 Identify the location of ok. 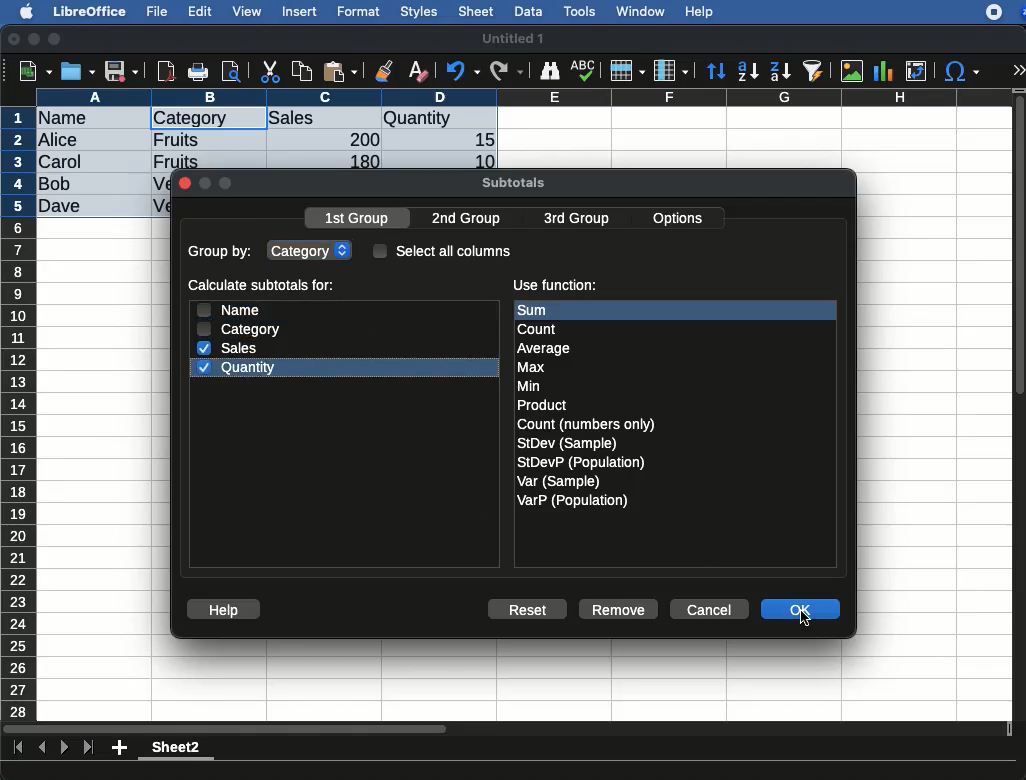
(803, 611).